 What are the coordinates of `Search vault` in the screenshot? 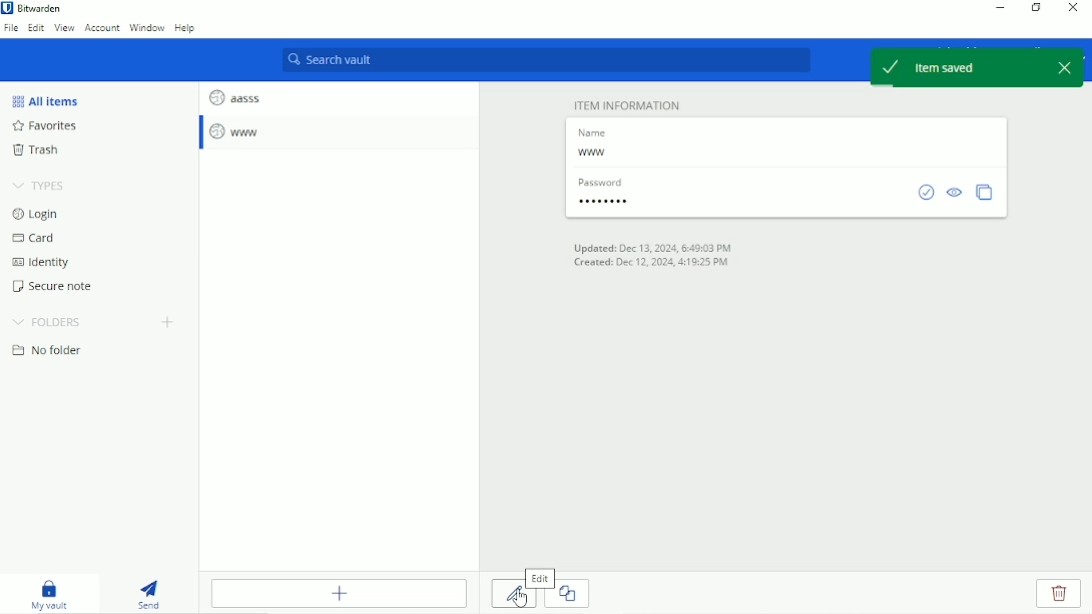 It's located at (547, 61).